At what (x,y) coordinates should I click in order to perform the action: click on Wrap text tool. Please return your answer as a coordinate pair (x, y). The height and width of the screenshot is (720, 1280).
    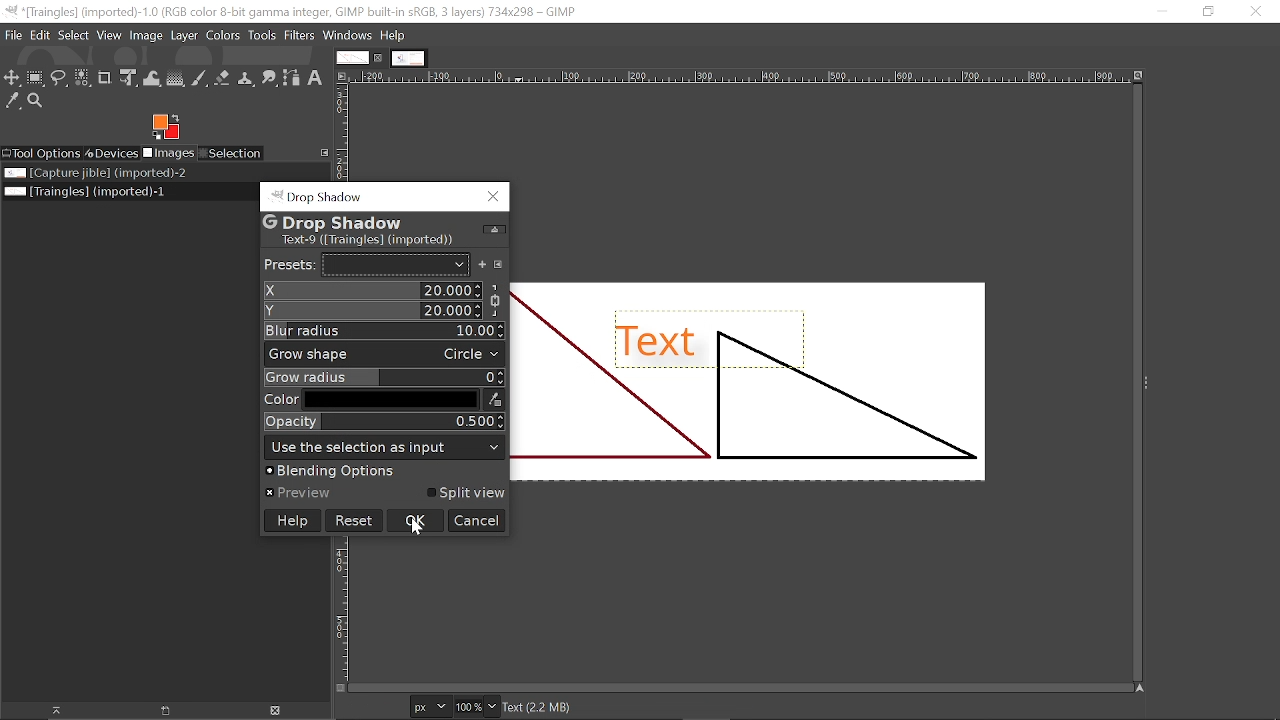
    Looking at the image, I should click on (152, 78).